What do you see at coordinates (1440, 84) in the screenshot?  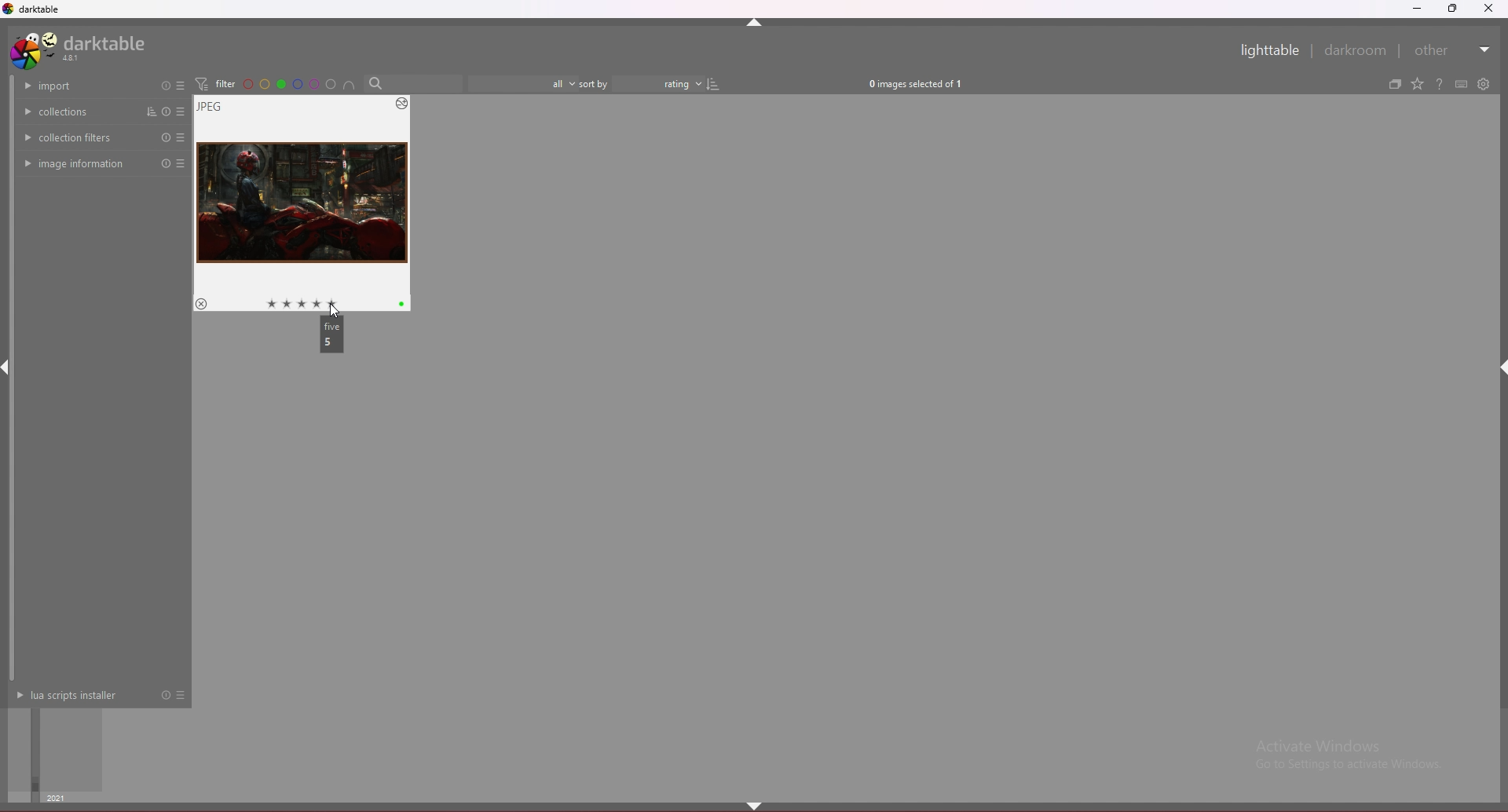 I see `help` at bounding box center [1440, 84].